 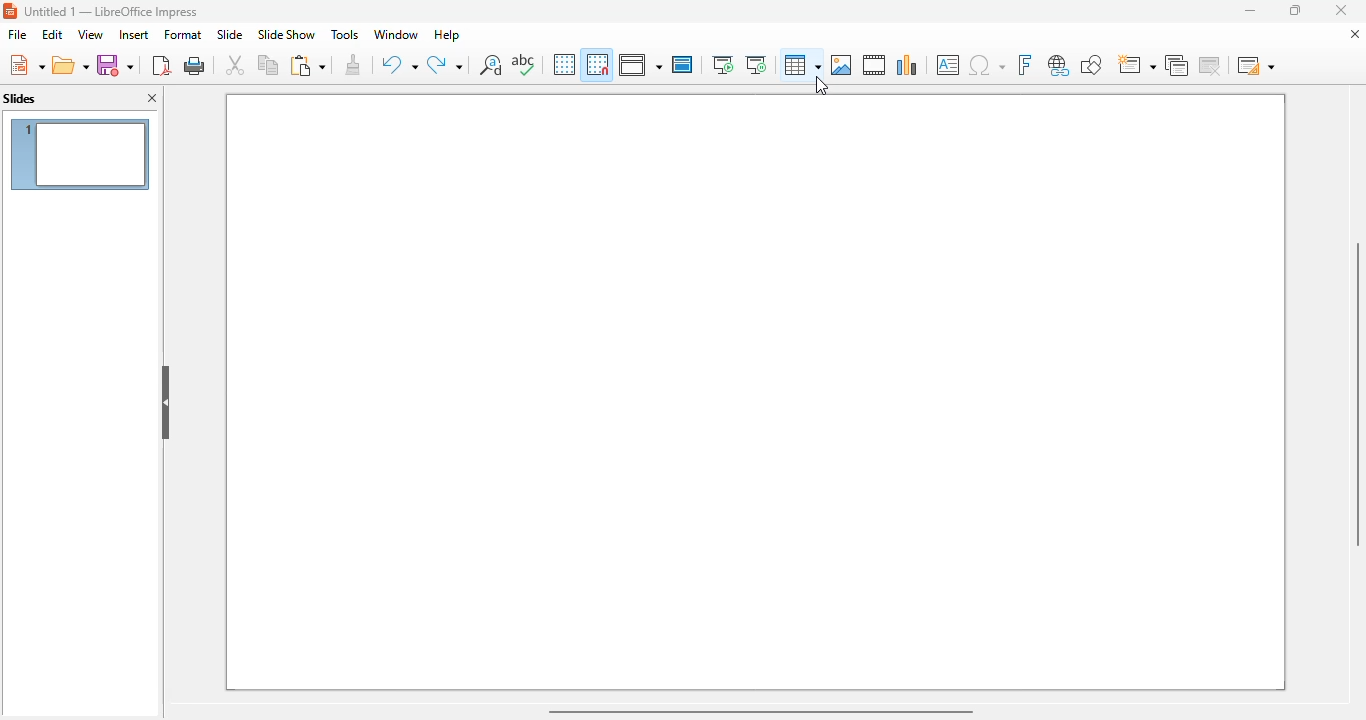 I want to click on redo, so click(x=444, y=64).